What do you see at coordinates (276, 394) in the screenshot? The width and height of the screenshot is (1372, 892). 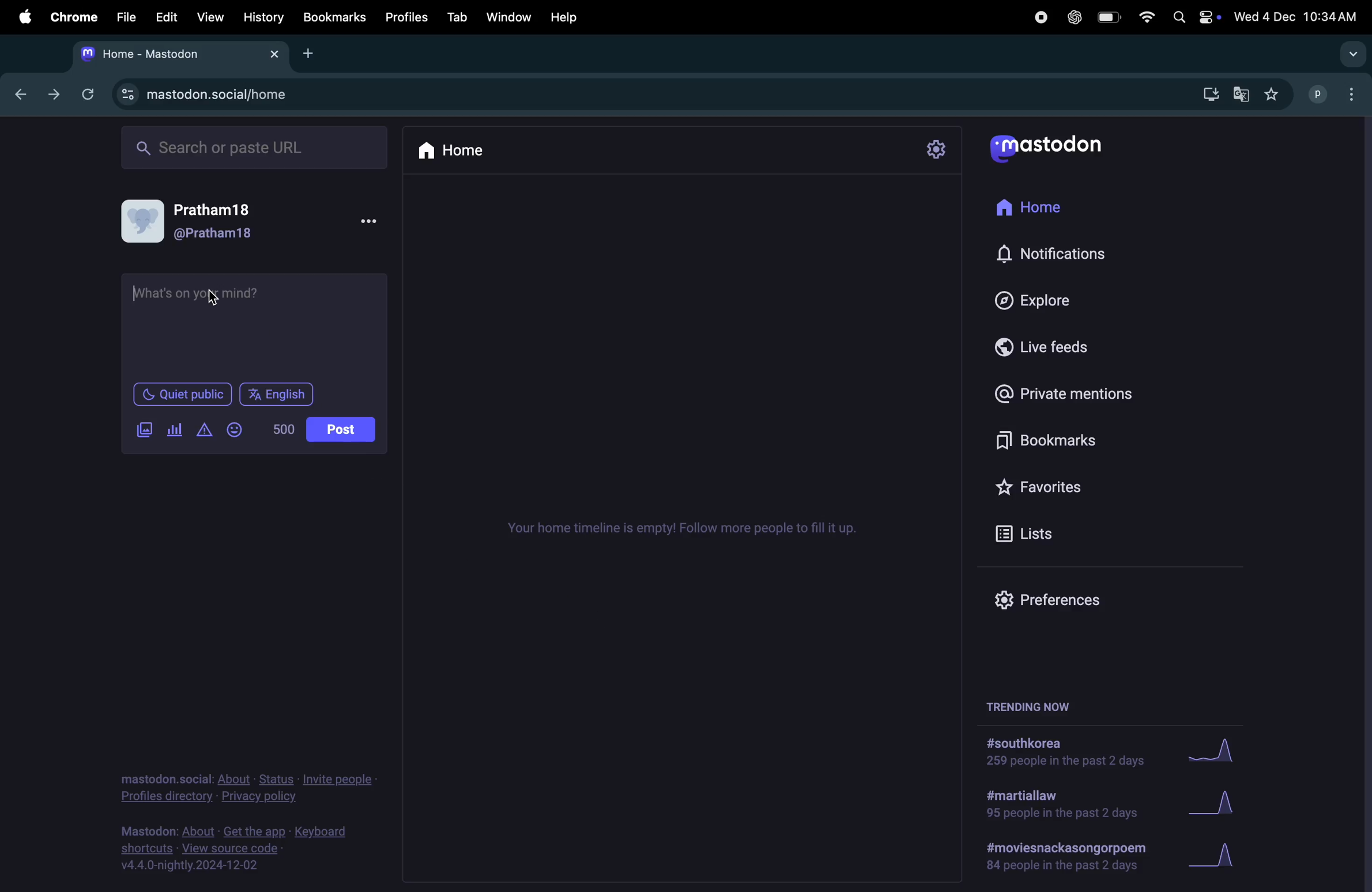 I see `English` at bounding box center [276, 394].